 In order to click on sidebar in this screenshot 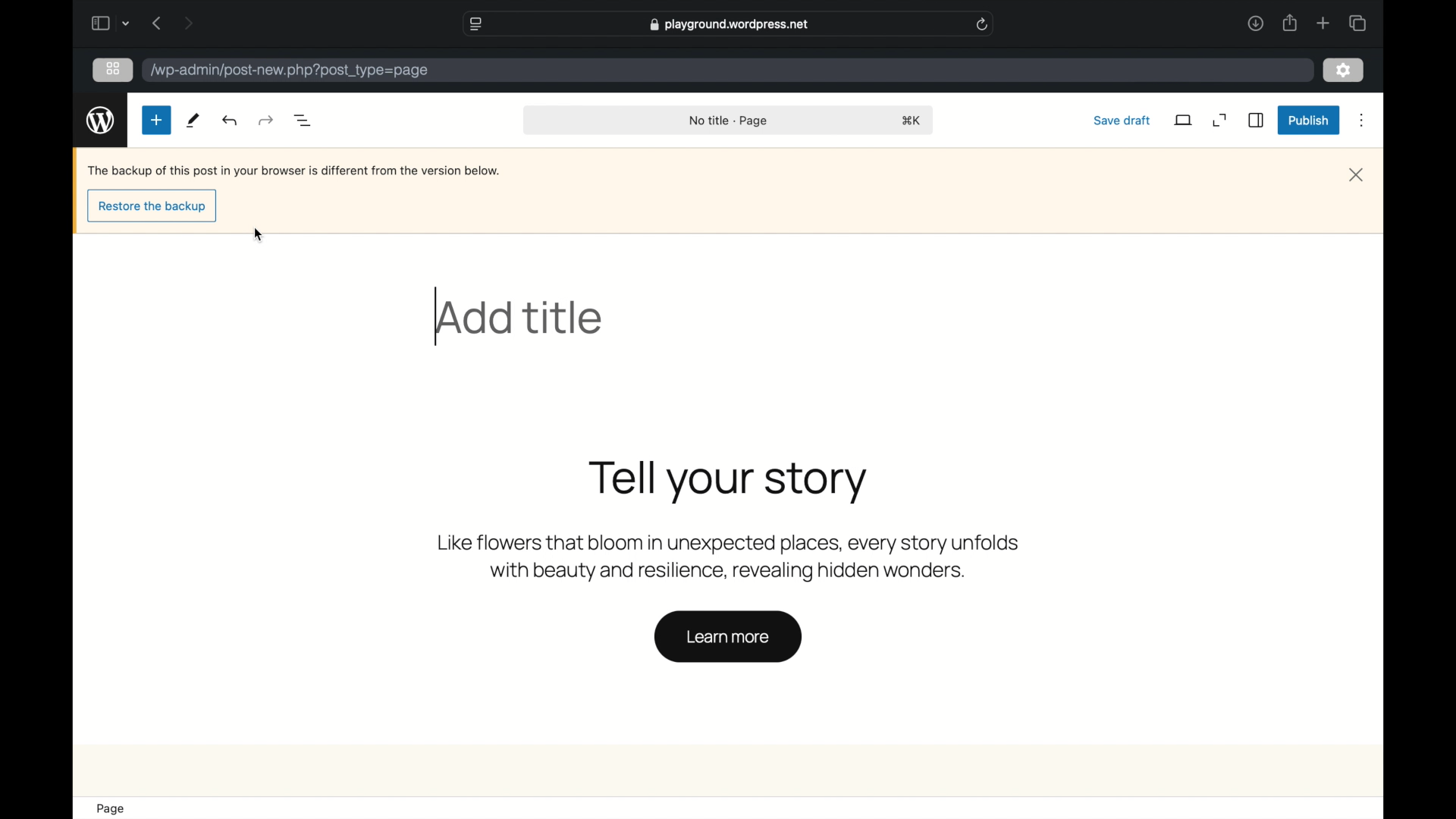, I will do `click(99, 23)`.